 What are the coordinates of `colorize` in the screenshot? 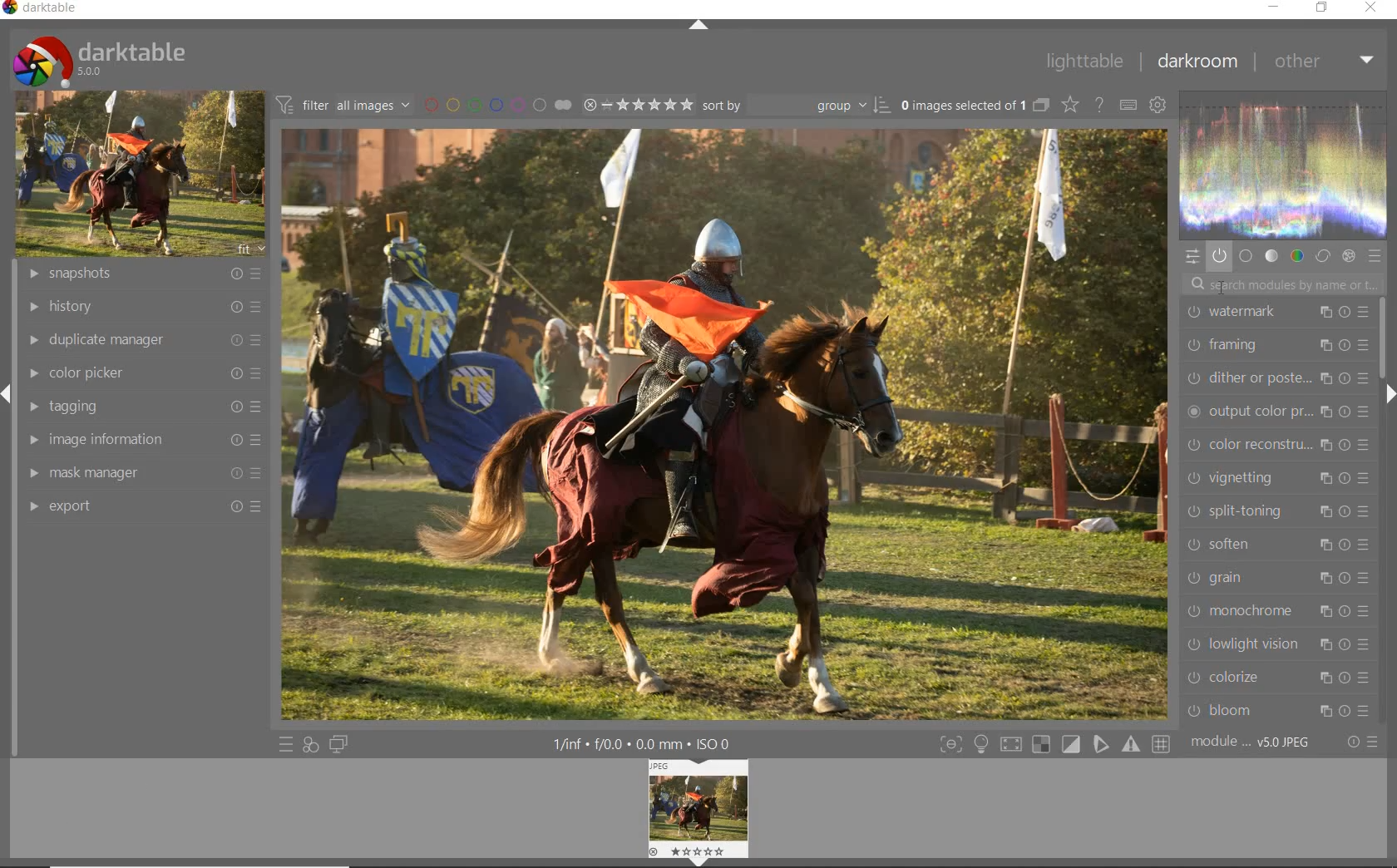 It's located at (1279, 677).